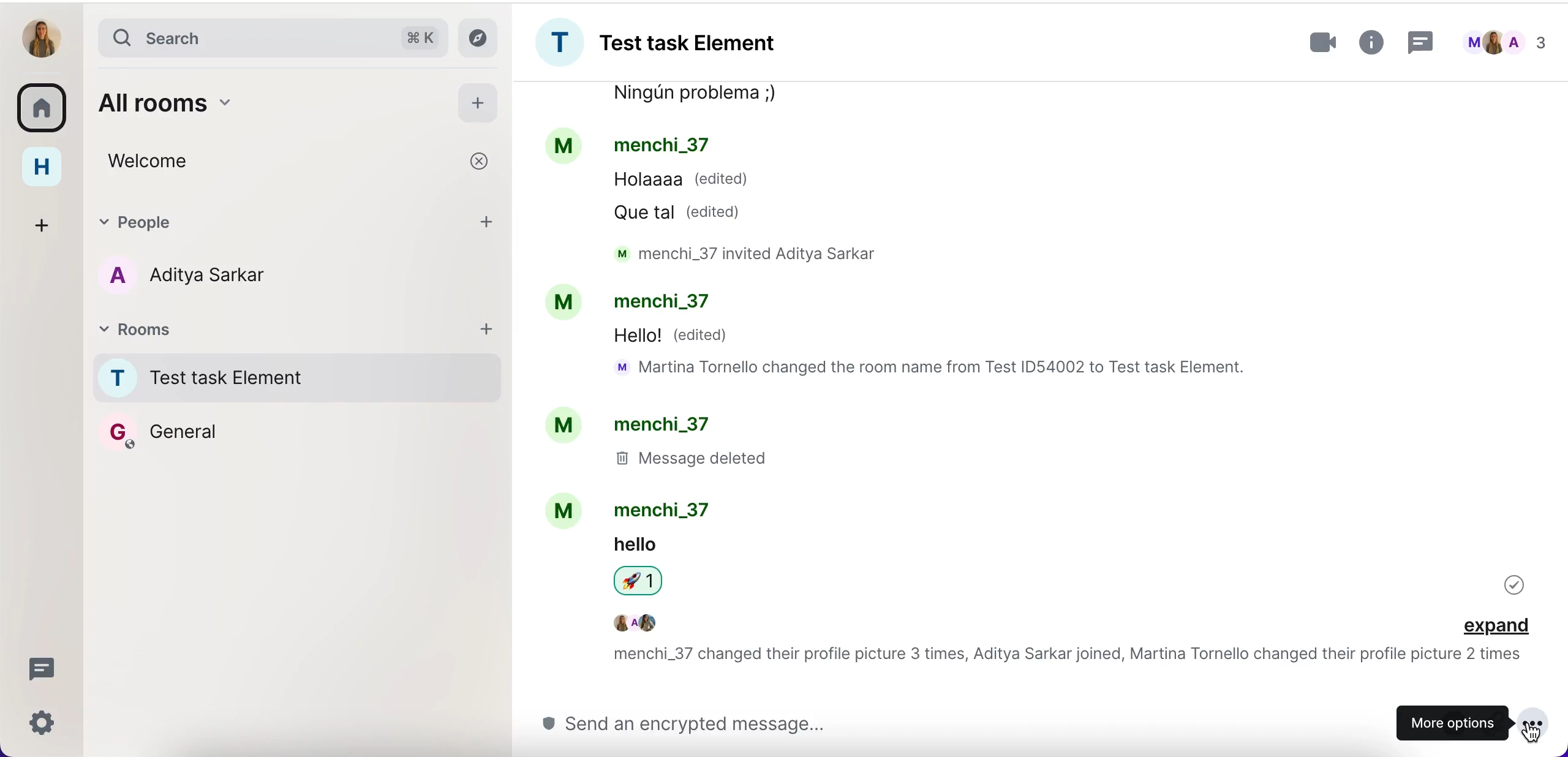 This screenshot has height=757, width=1568. I want to click on add, so click(492, 222).